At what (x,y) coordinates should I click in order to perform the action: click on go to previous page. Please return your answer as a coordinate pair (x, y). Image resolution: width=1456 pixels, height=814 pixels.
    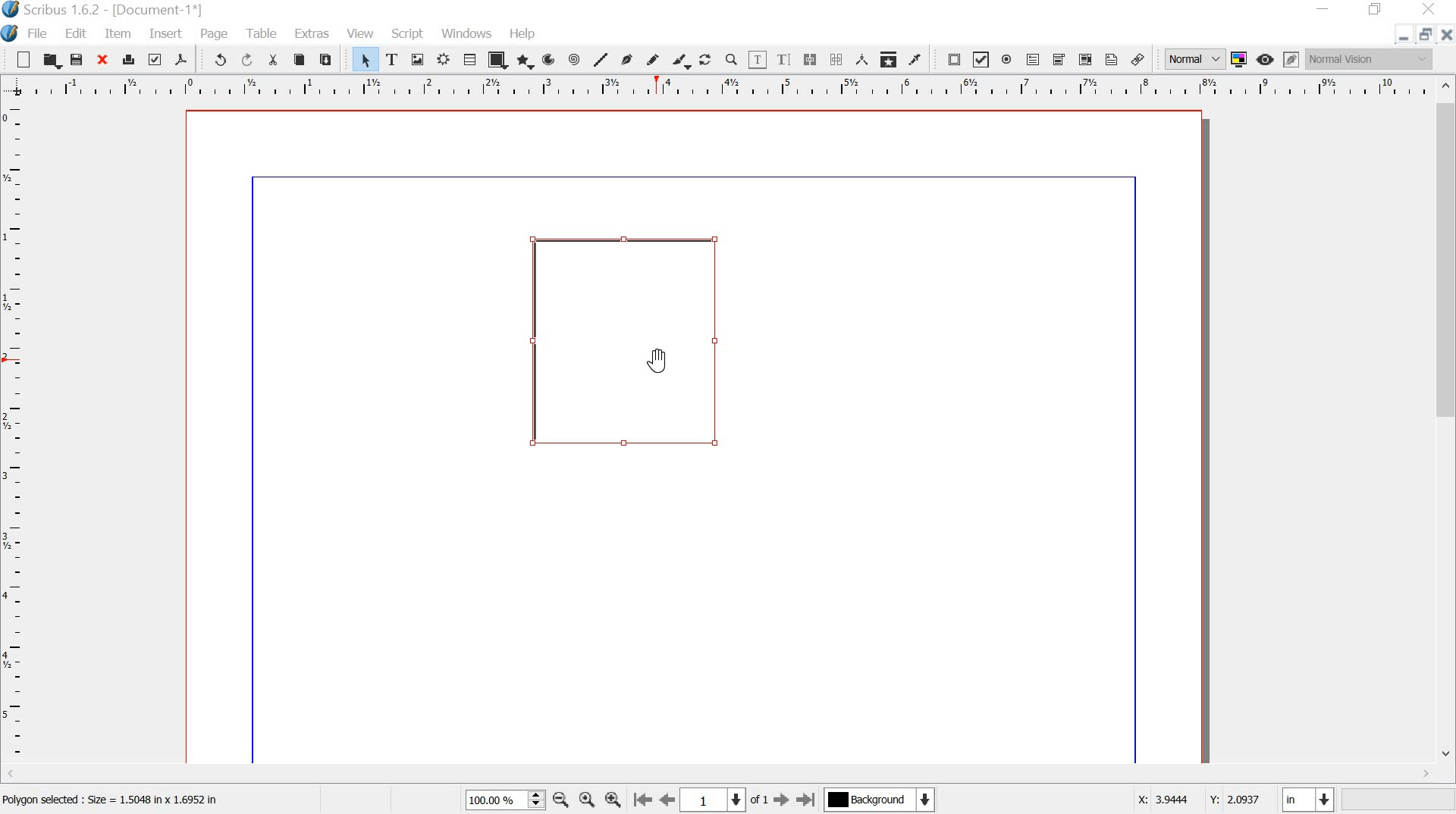
    Looking at the image, I should click on (668, 800).